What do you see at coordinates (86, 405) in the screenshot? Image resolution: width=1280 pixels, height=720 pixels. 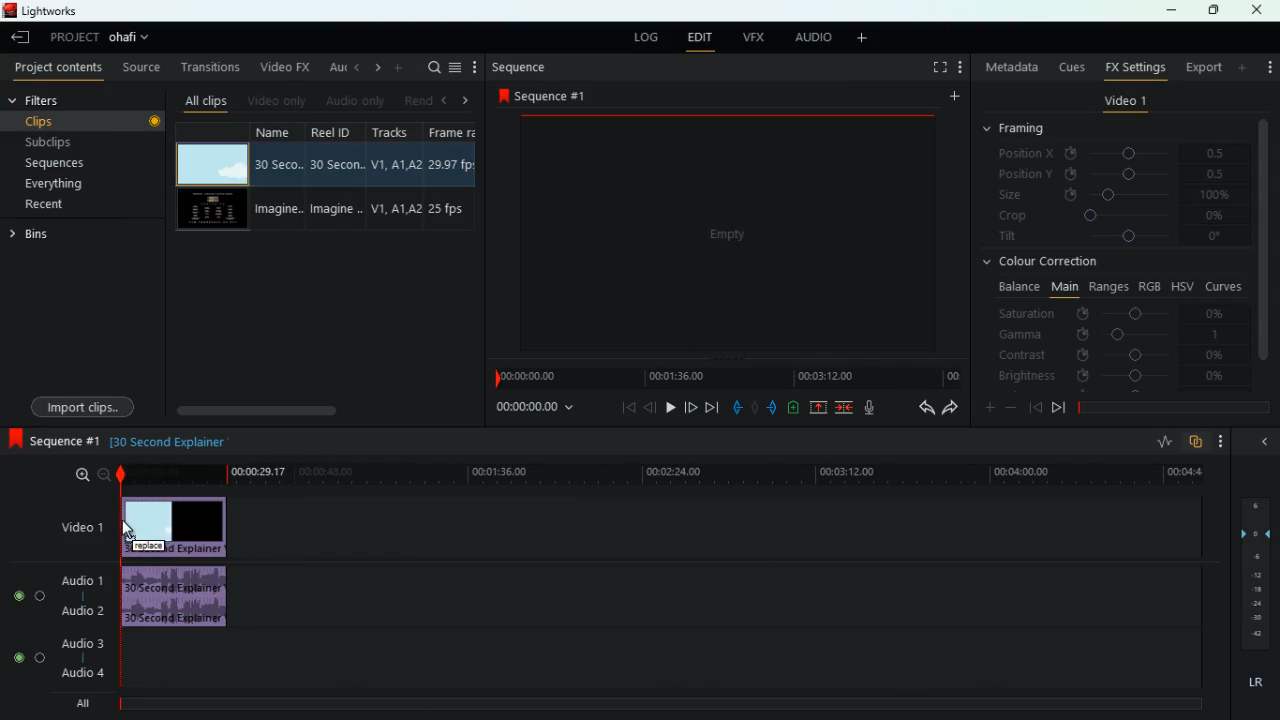 I see `import clips` at bounding box center [86, 405].